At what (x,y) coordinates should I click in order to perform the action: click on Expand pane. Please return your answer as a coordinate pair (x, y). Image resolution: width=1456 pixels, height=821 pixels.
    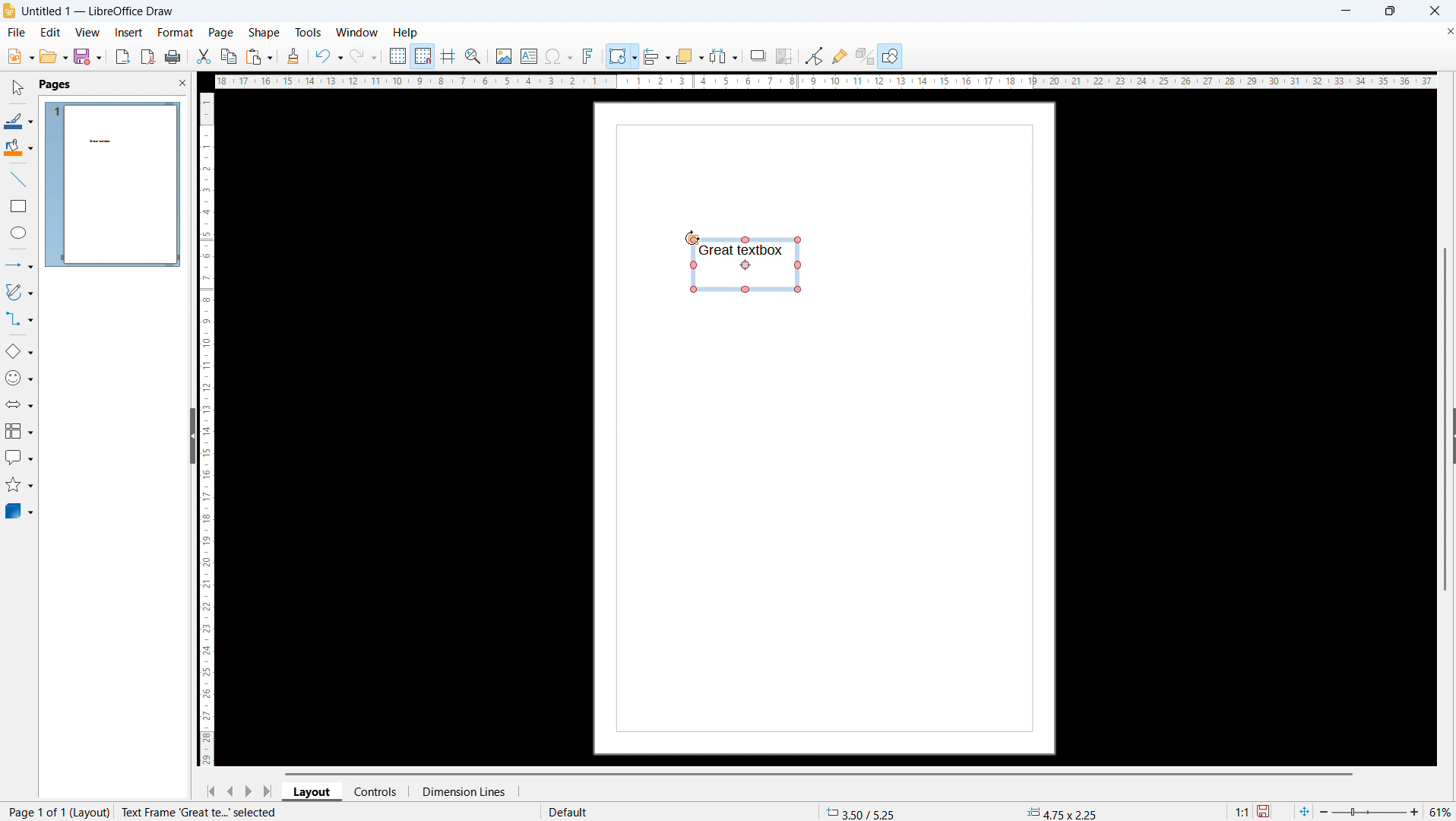
    Looking at the image, I should click on (1447, 440).